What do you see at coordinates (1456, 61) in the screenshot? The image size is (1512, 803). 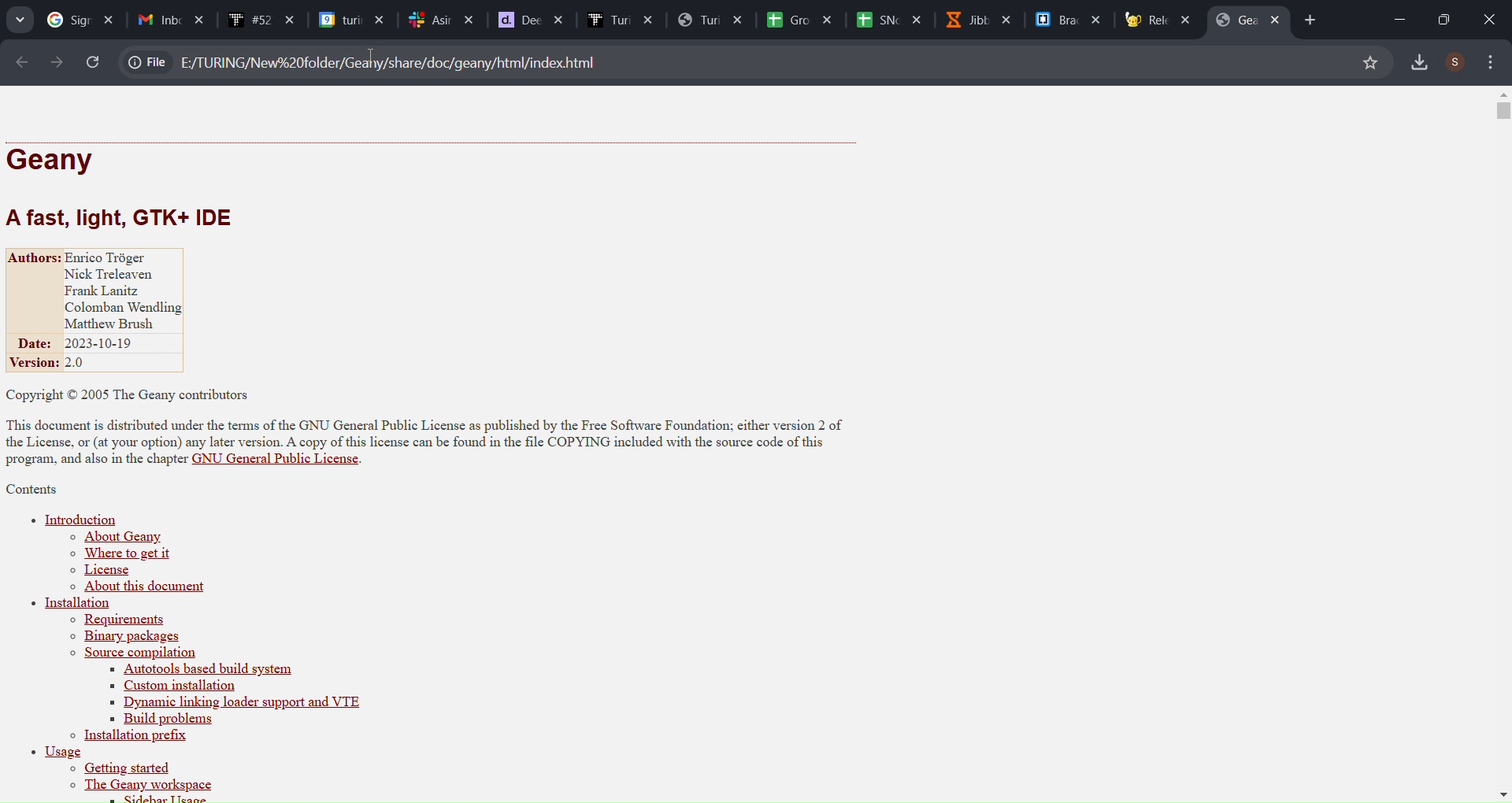 I see `user` at bounding box center [1456, 61].